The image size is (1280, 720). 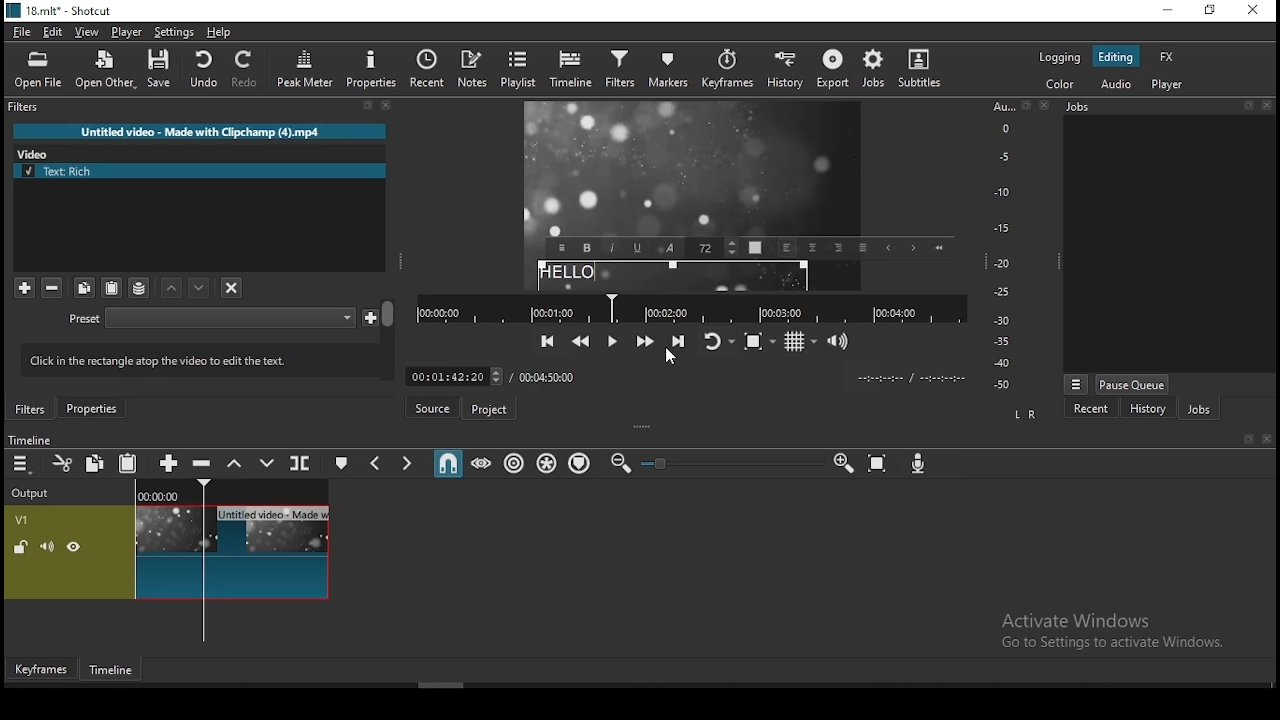 What do you see at coordinates (1170, 84) in the screenshot?
I see `player` at bounding box center [1170, 84].